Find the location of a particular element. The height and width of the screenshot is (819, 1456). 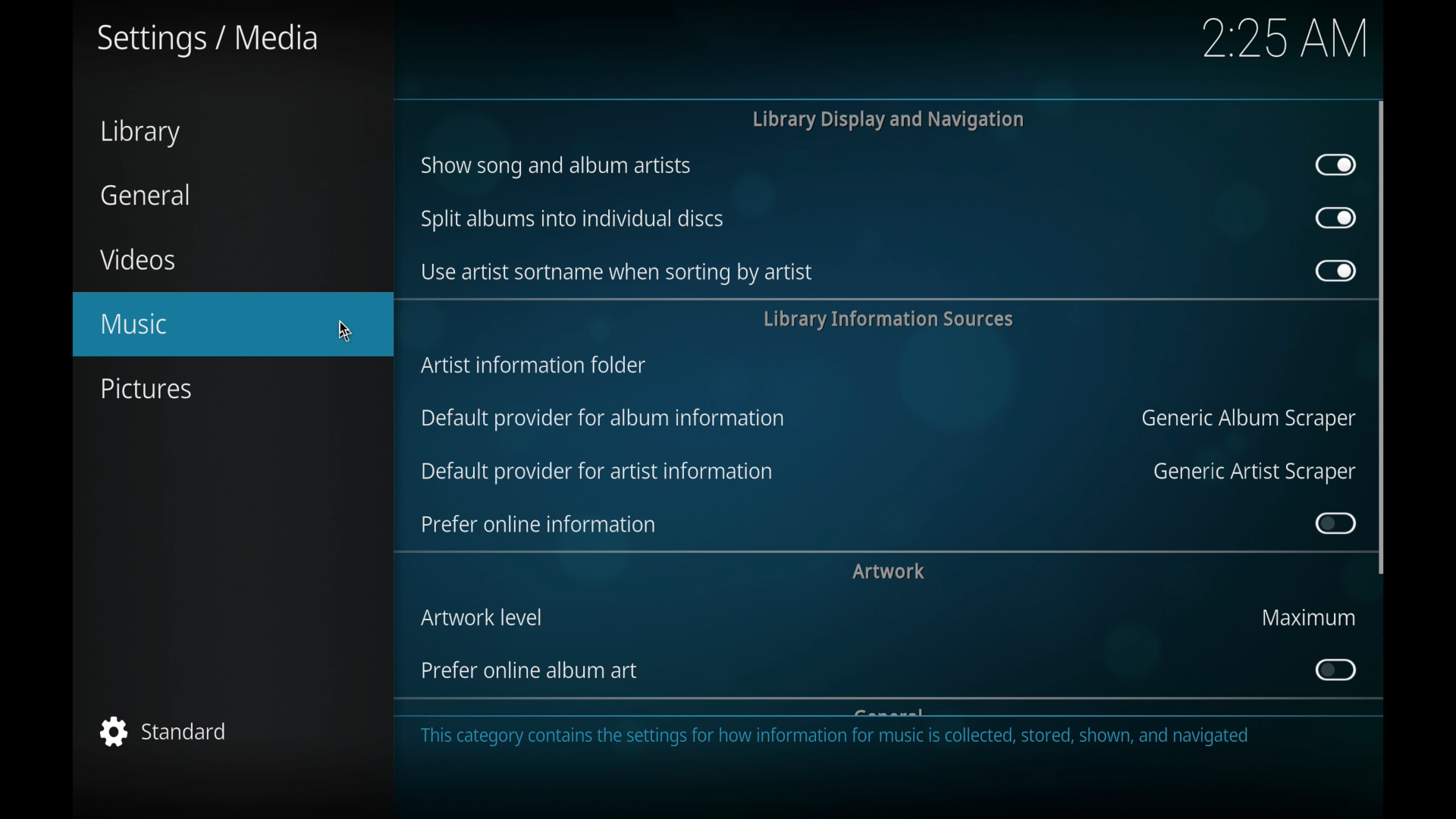

videos is located at coordinates (140, 259).